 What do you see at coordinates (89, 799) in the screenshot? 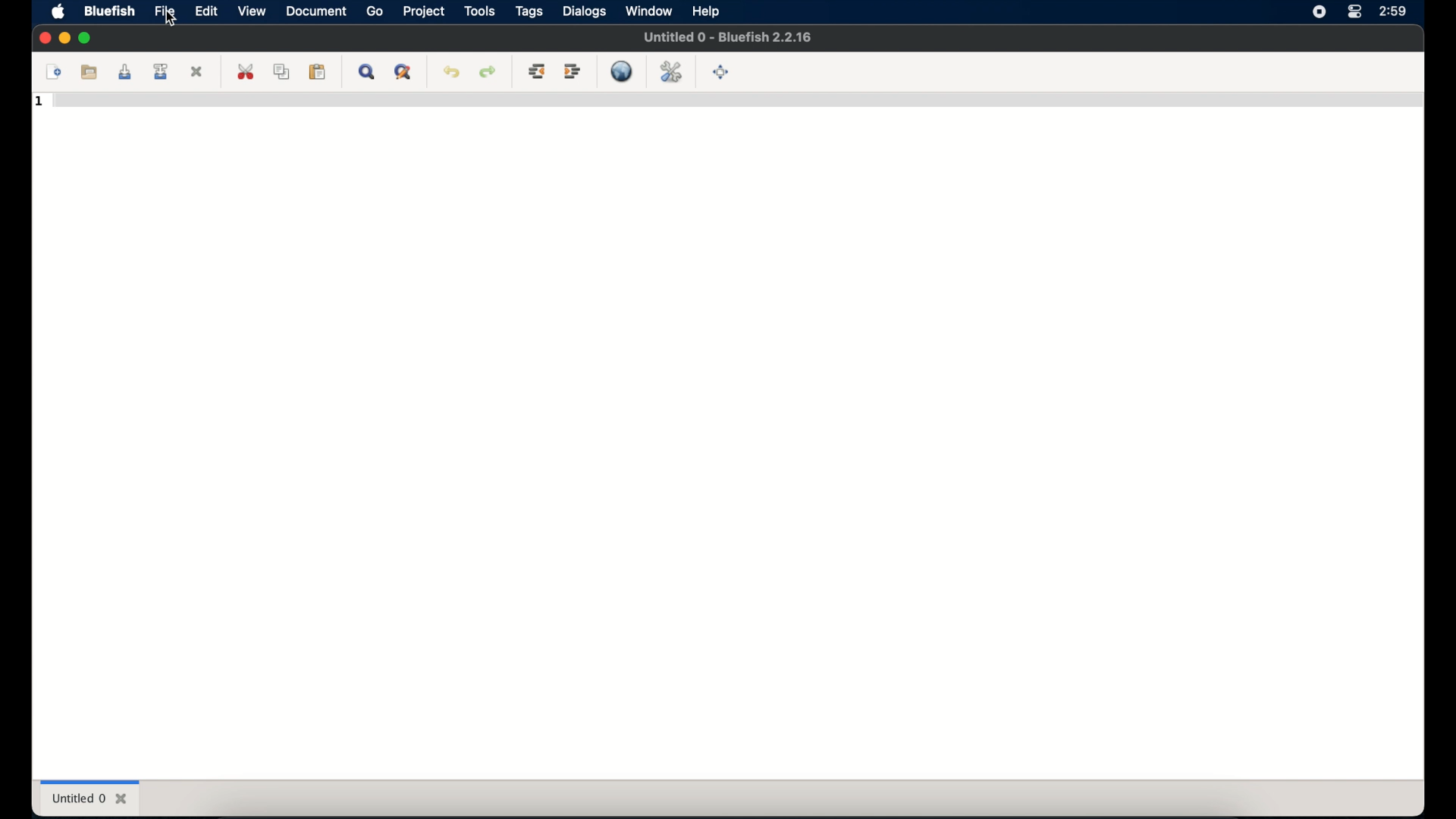
I see `untitled 0` at bounding box center [89, 799].